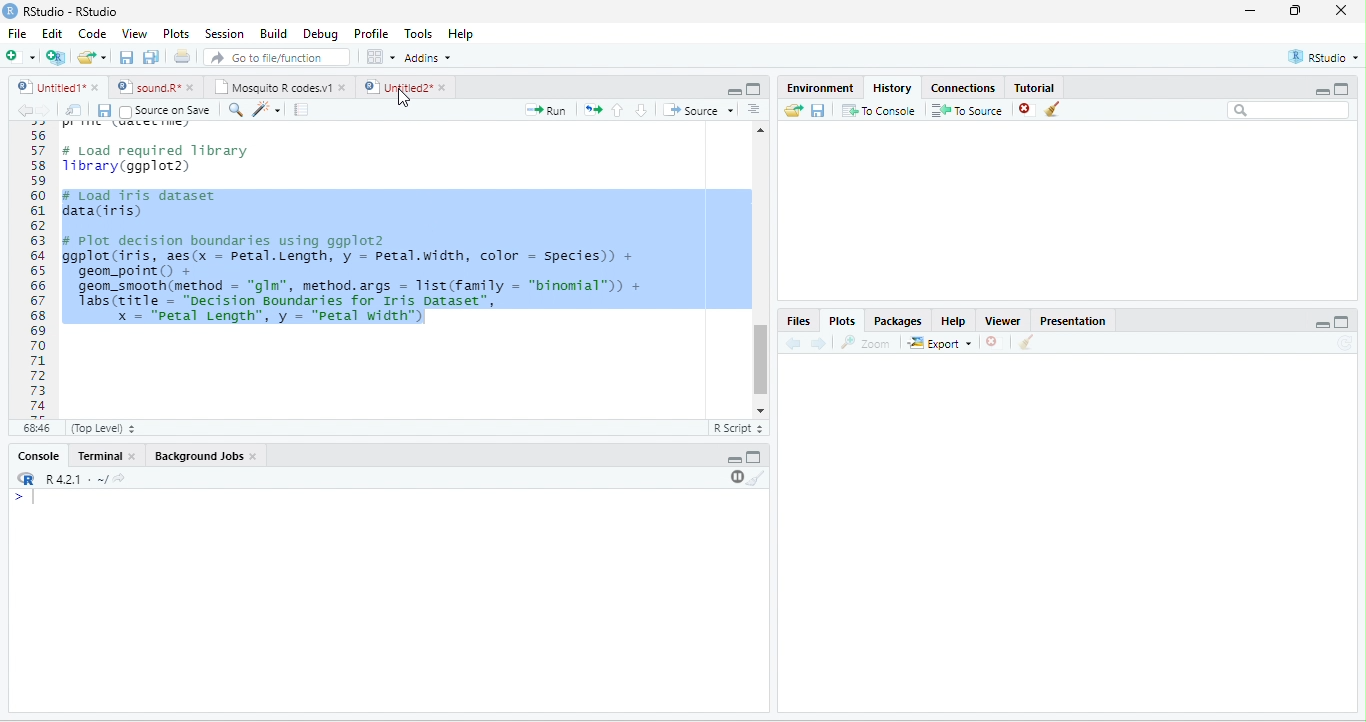 The width and height of the screenshot is (1366, 722). I want to click on To console, so click(879, 110).